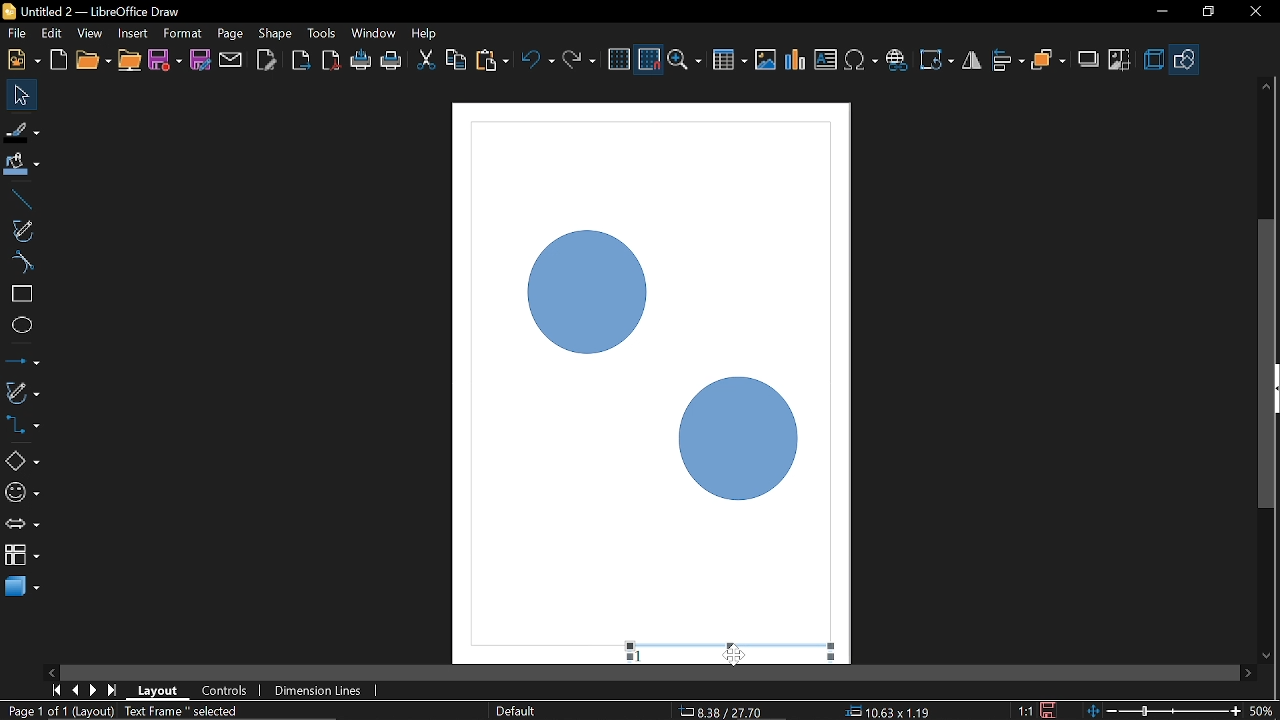  Describe the element at coordinates (1266, 86) in the screenshot. I see `Move up` at that location.